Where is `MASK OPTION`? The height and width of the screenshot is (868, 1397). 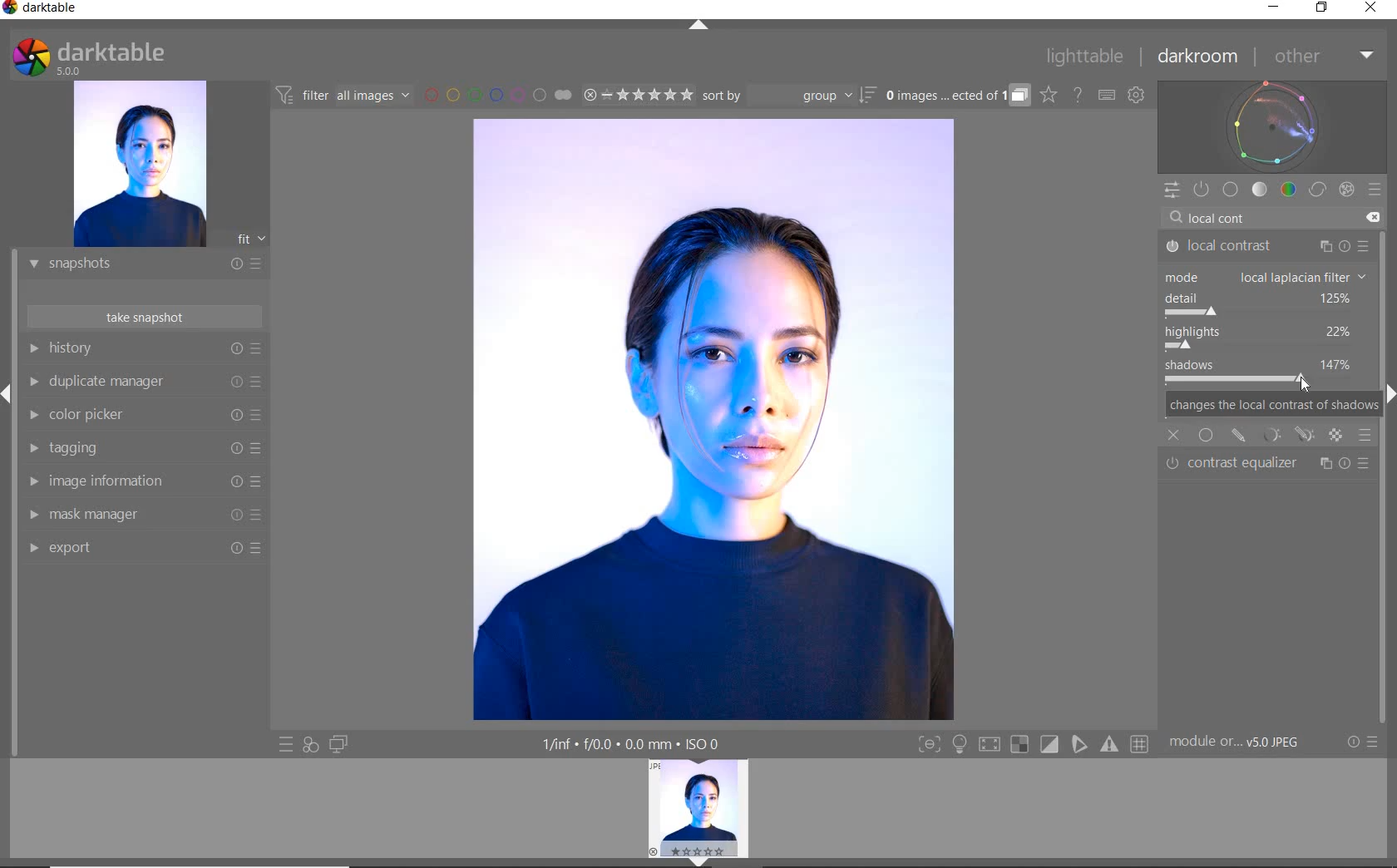
MASK OPTION is located at coordinates (1273, 437).